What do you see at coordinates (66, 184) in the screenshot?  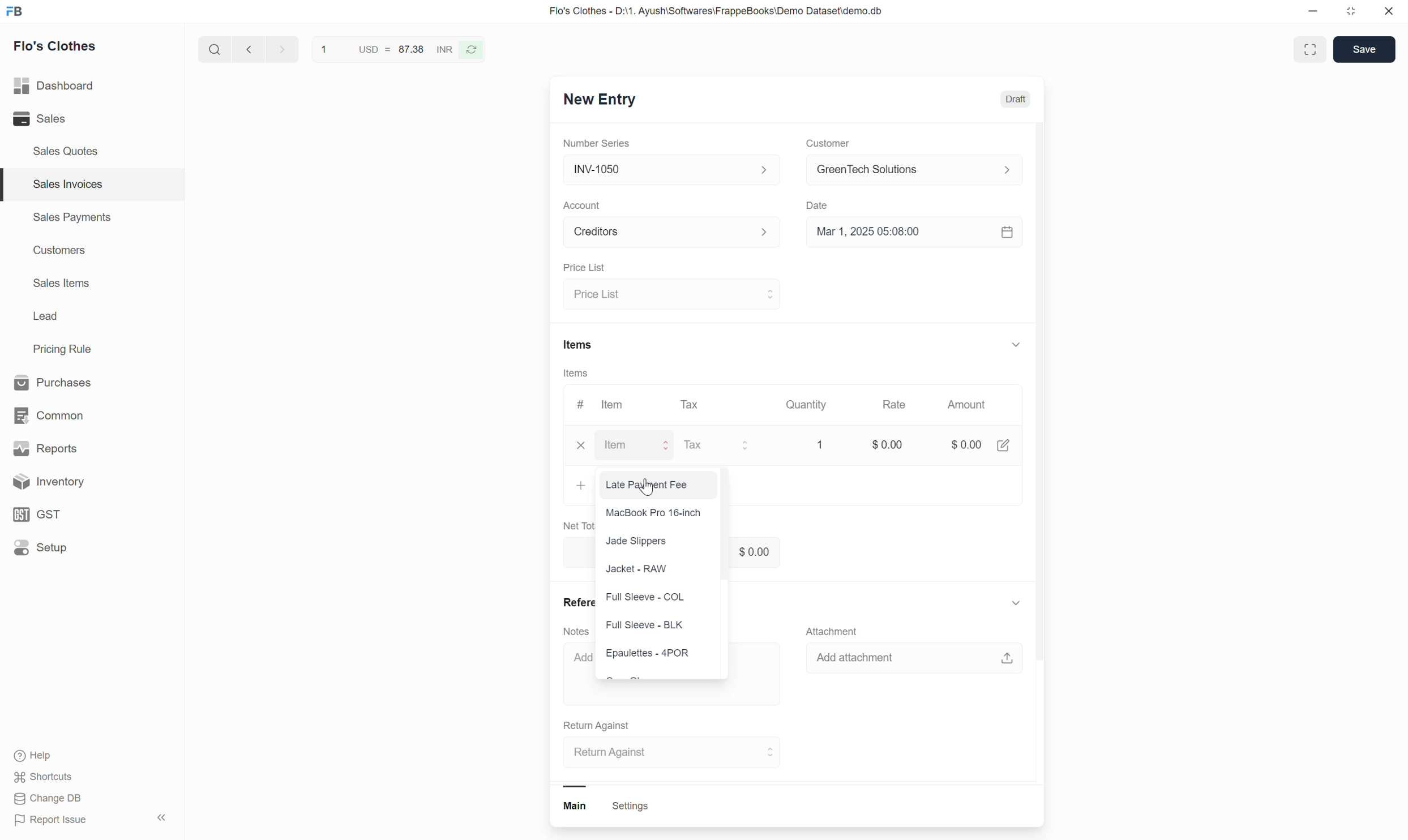 I see `Sales Invoices` at bounding box center [66, 184].